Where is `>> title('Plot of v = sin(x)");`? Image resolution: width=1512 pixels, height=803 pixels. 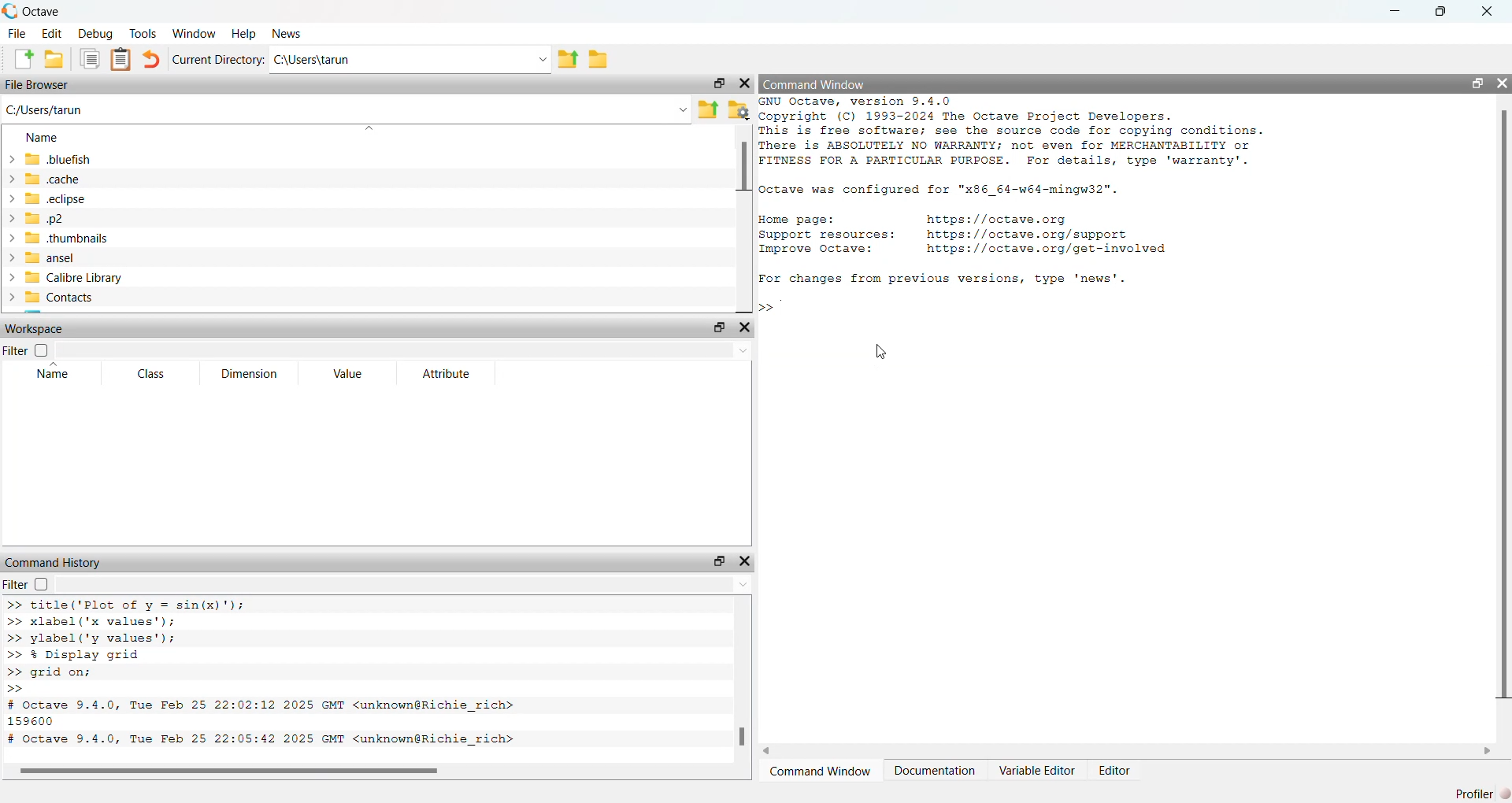
>> title('Plot of v = sin(x)"); is located at coordinates (127, 604).